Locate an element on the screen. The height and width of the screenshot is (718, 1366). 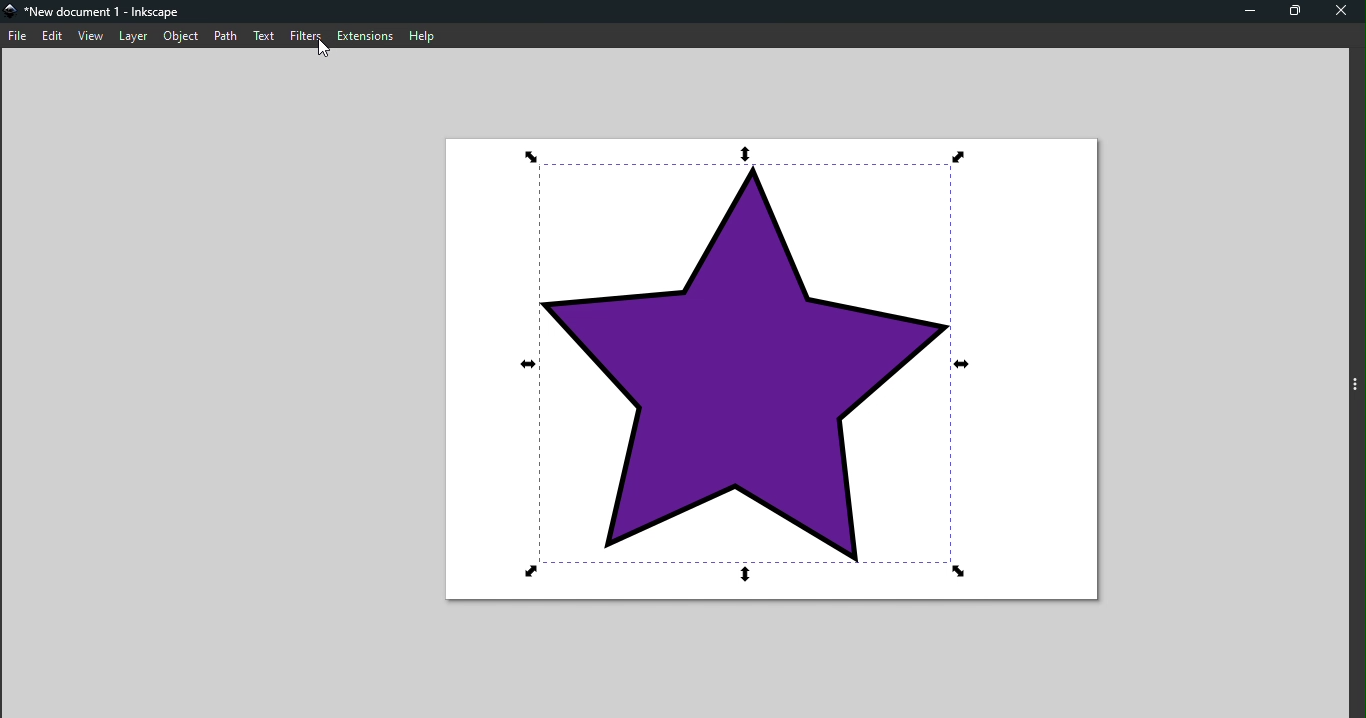
Edit is located at coordinates (54, 37).